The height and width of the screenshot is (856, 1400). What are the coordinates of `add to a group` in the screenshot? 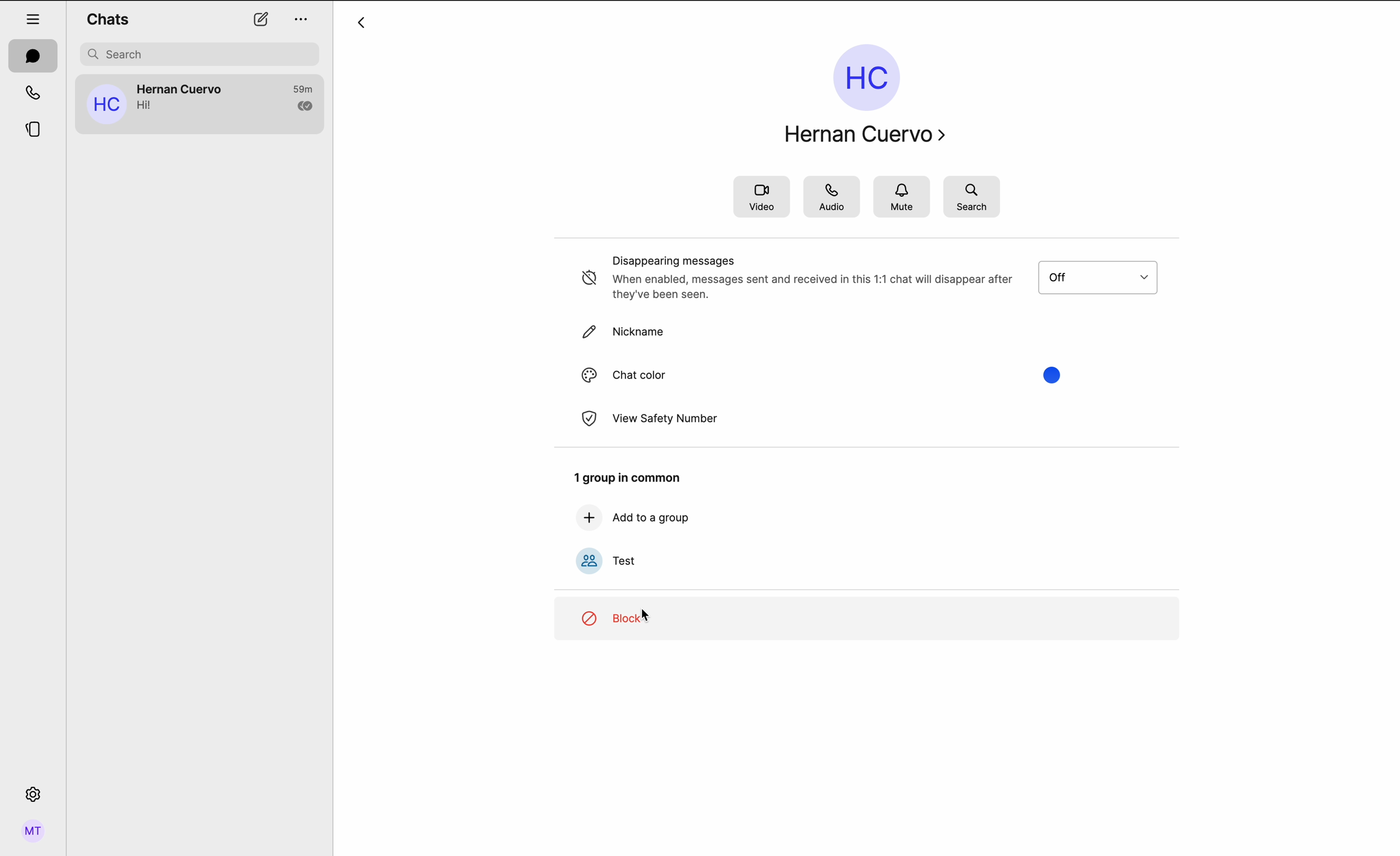 It's located at (632, 518).